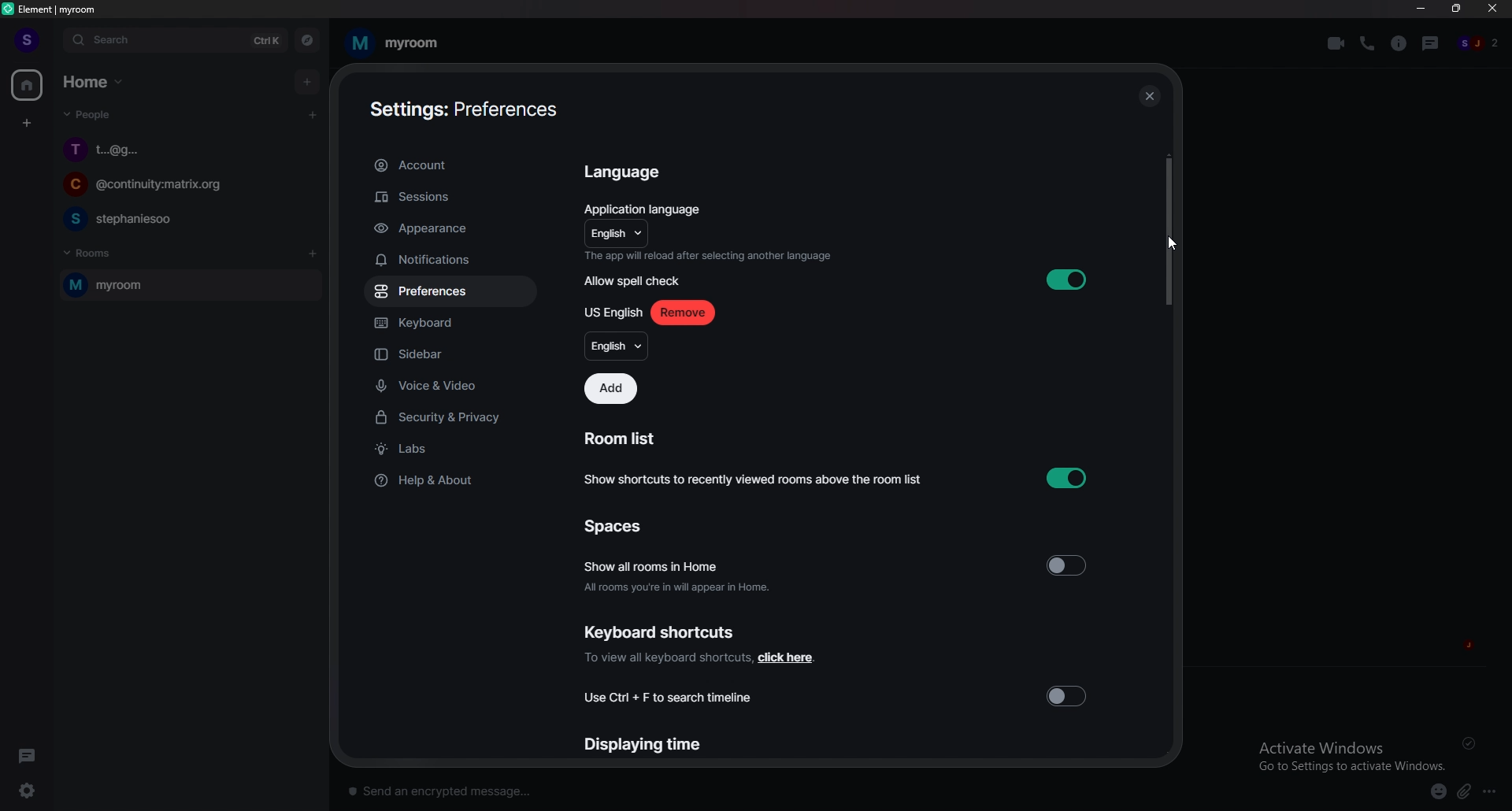 Image resolution: width=1512 pixels, height=811 pixels. I want to click on sessions, so click(449, 198).